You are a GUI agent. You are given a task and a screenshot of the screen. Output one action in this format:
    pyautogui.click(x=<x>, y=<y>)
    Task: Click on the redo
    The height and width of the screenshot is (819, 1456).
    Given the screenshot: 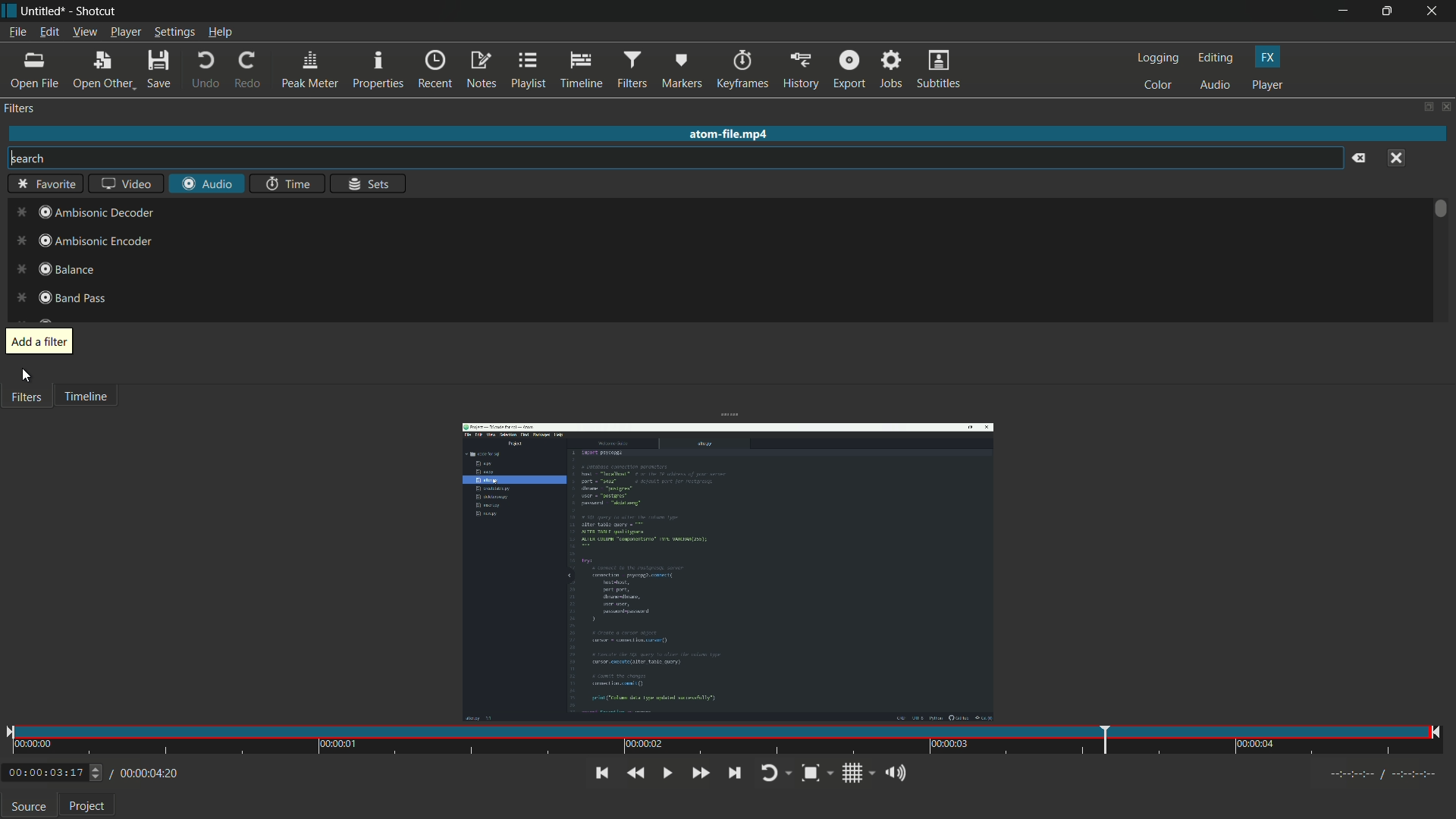 What is the action you would take?
    pyautogui.click(x=249, y=67)
    